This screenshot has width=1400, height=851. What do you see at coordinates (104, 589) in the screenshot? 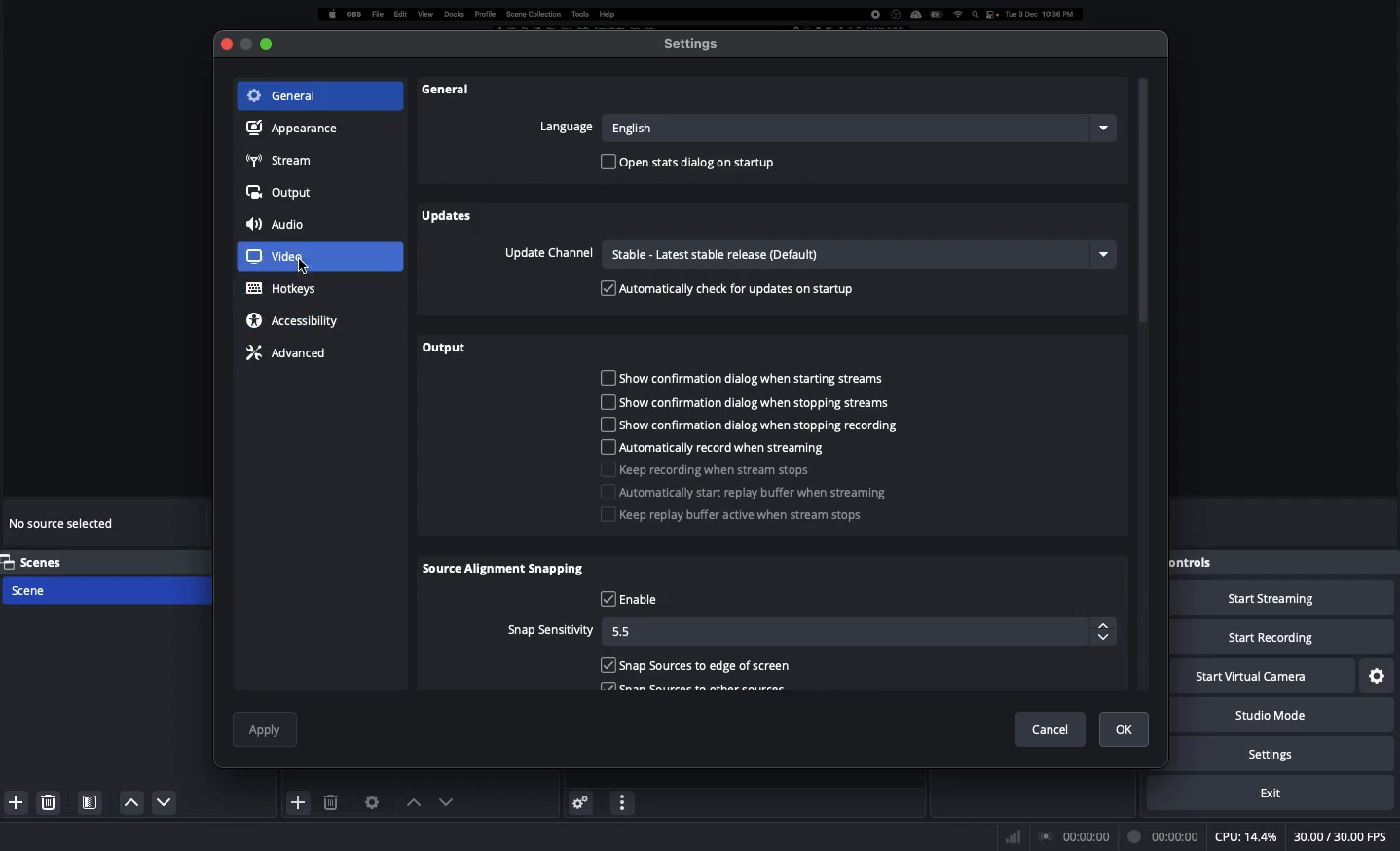
I see `Scen` at bounding box center [104, 589].